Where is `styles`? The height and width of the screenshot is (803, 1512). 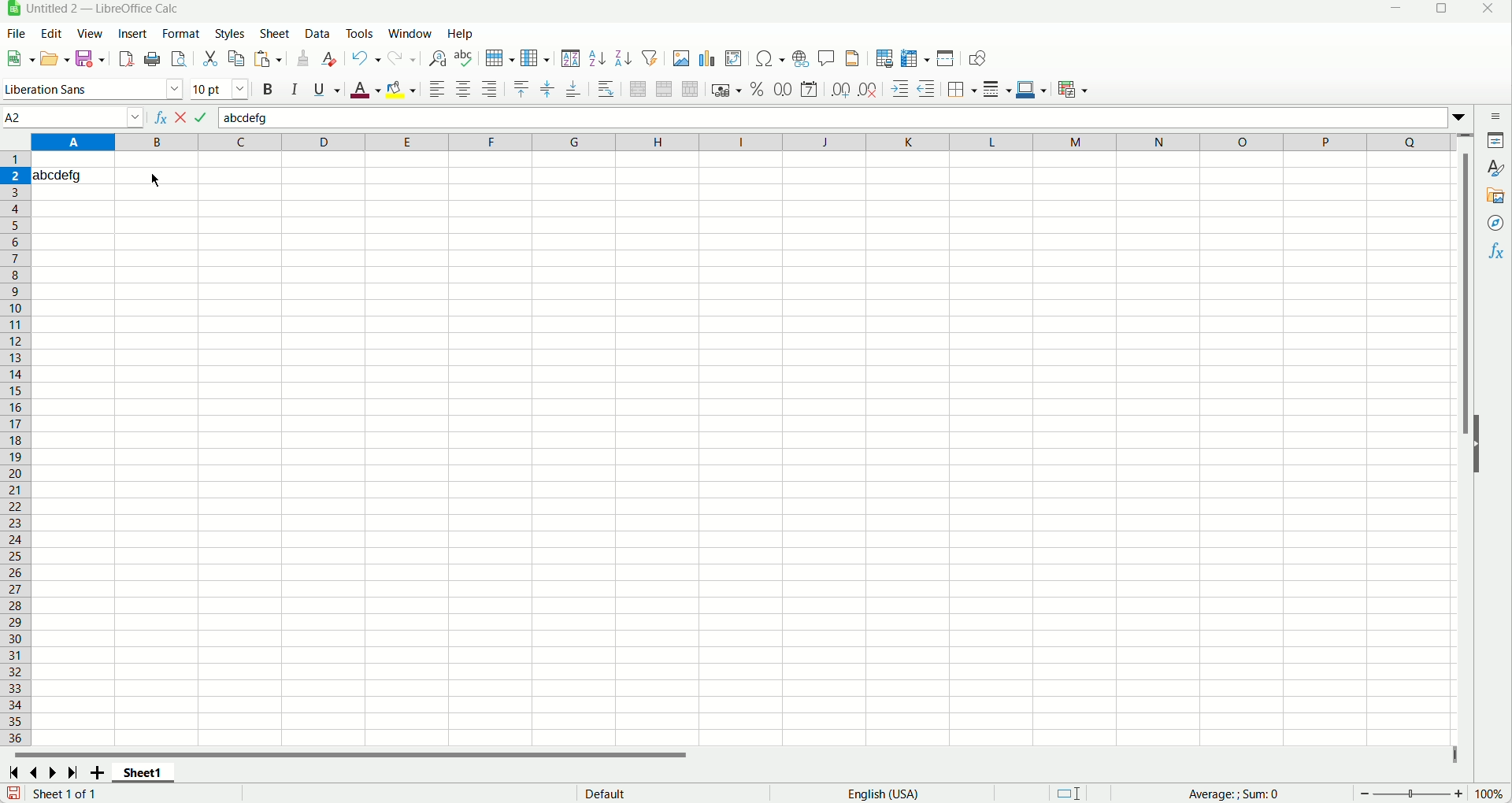
styles is located at coordinates (231, 34).